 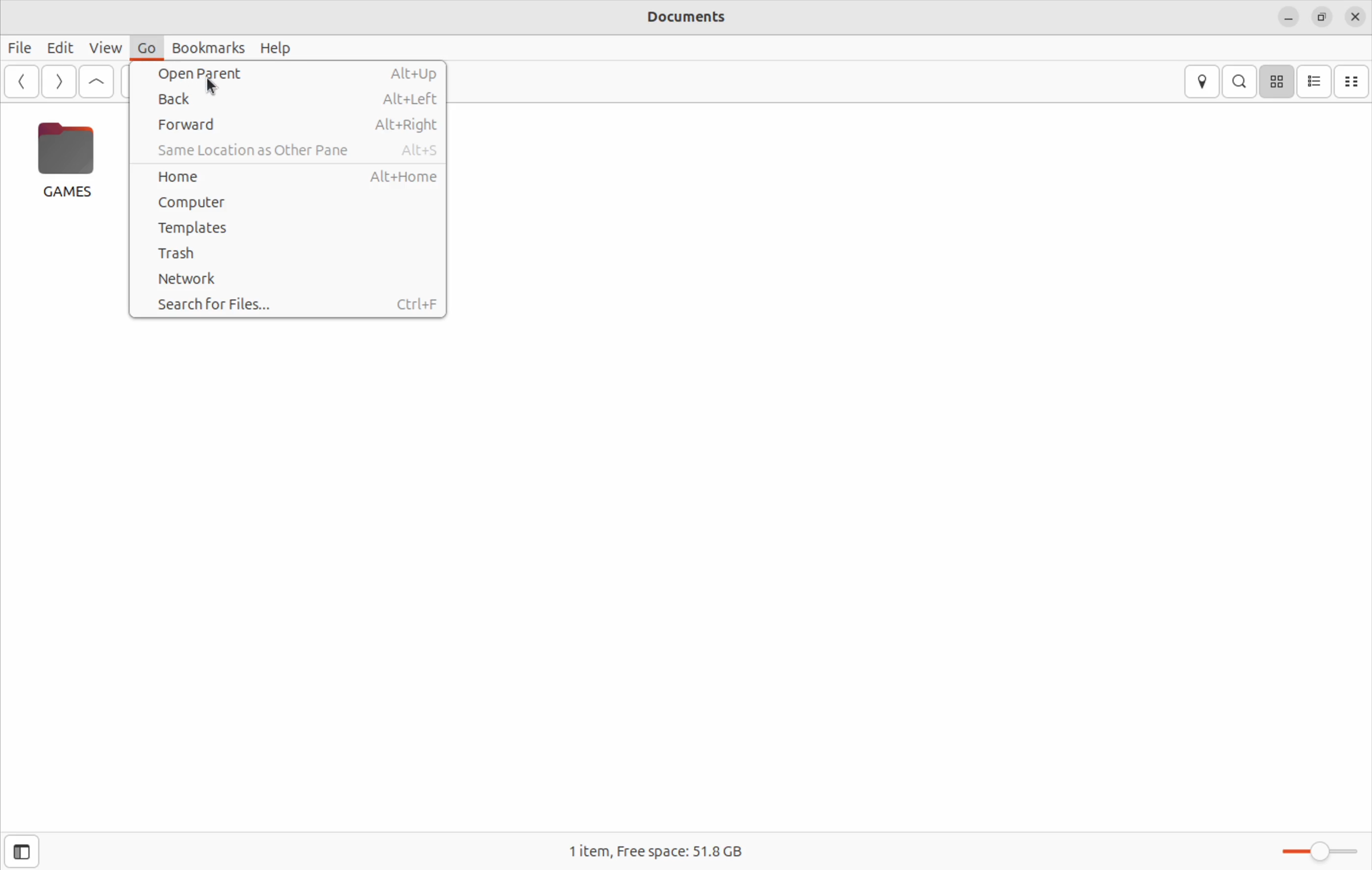 What do you see at coordinates (60, 47) in the screenshot?
I see `Edit` at bounding box center [60, 47].